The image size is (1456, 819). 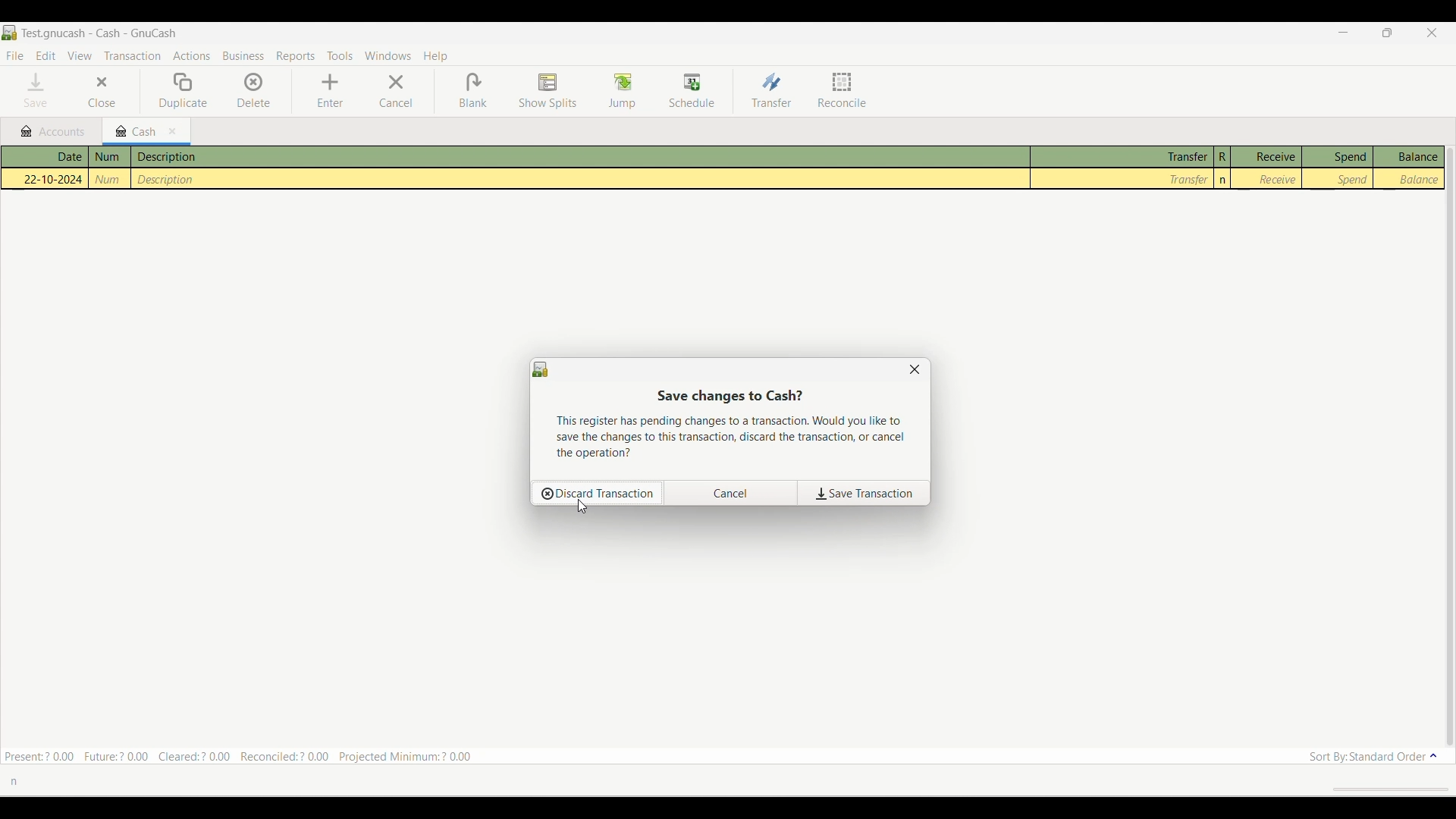 What do you see at coordinates (622, 91) in the screenshot?
I see `Jump` at bounding box center [622, 91].